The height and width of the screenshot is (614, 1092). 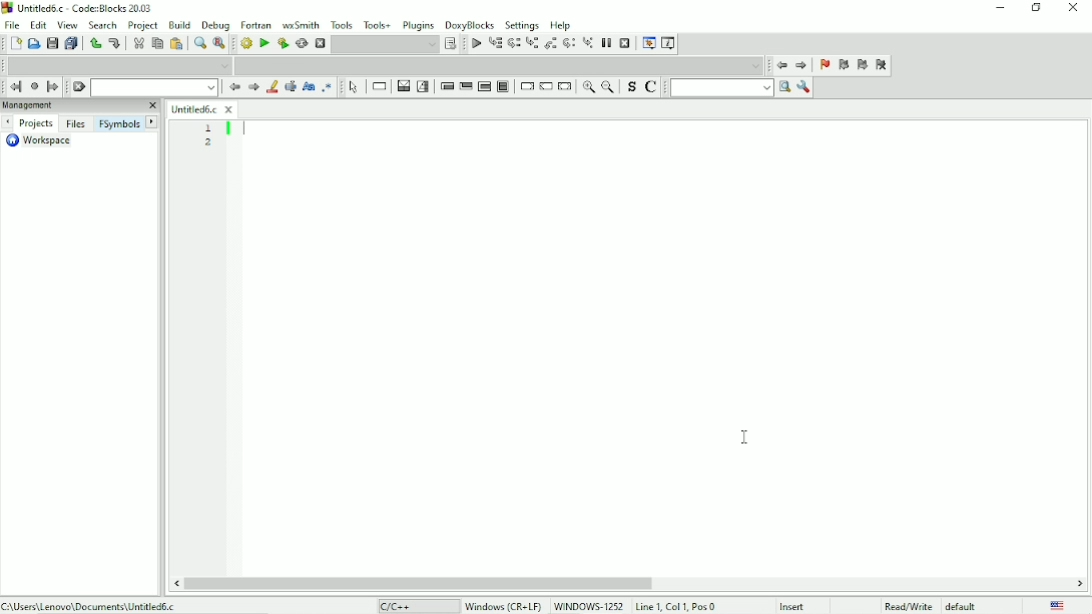 I want to click on Jump back, so click(x=781, y=66).